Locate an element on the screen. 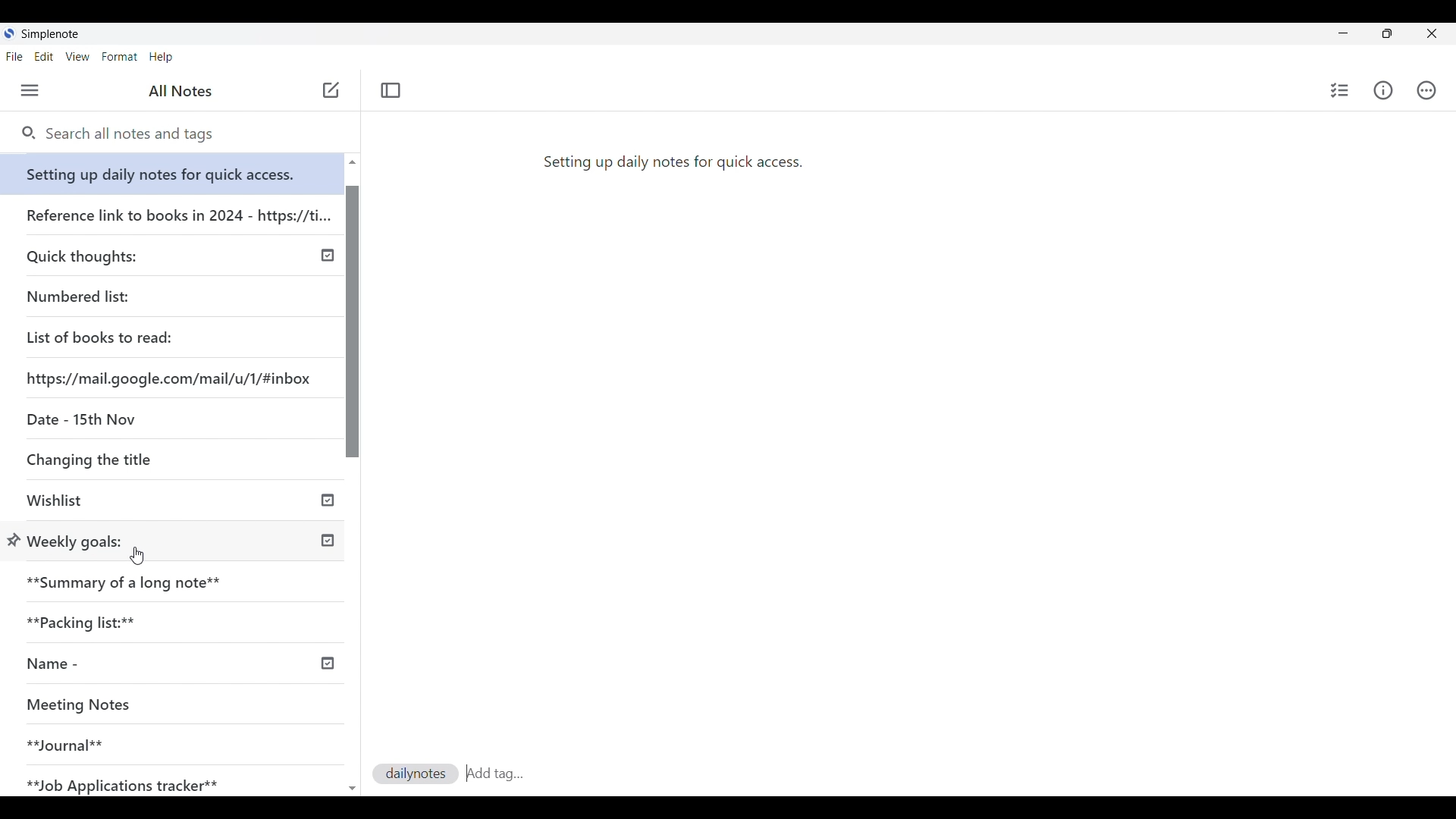  Toggle focus mode is located at coordinates (391, 91).